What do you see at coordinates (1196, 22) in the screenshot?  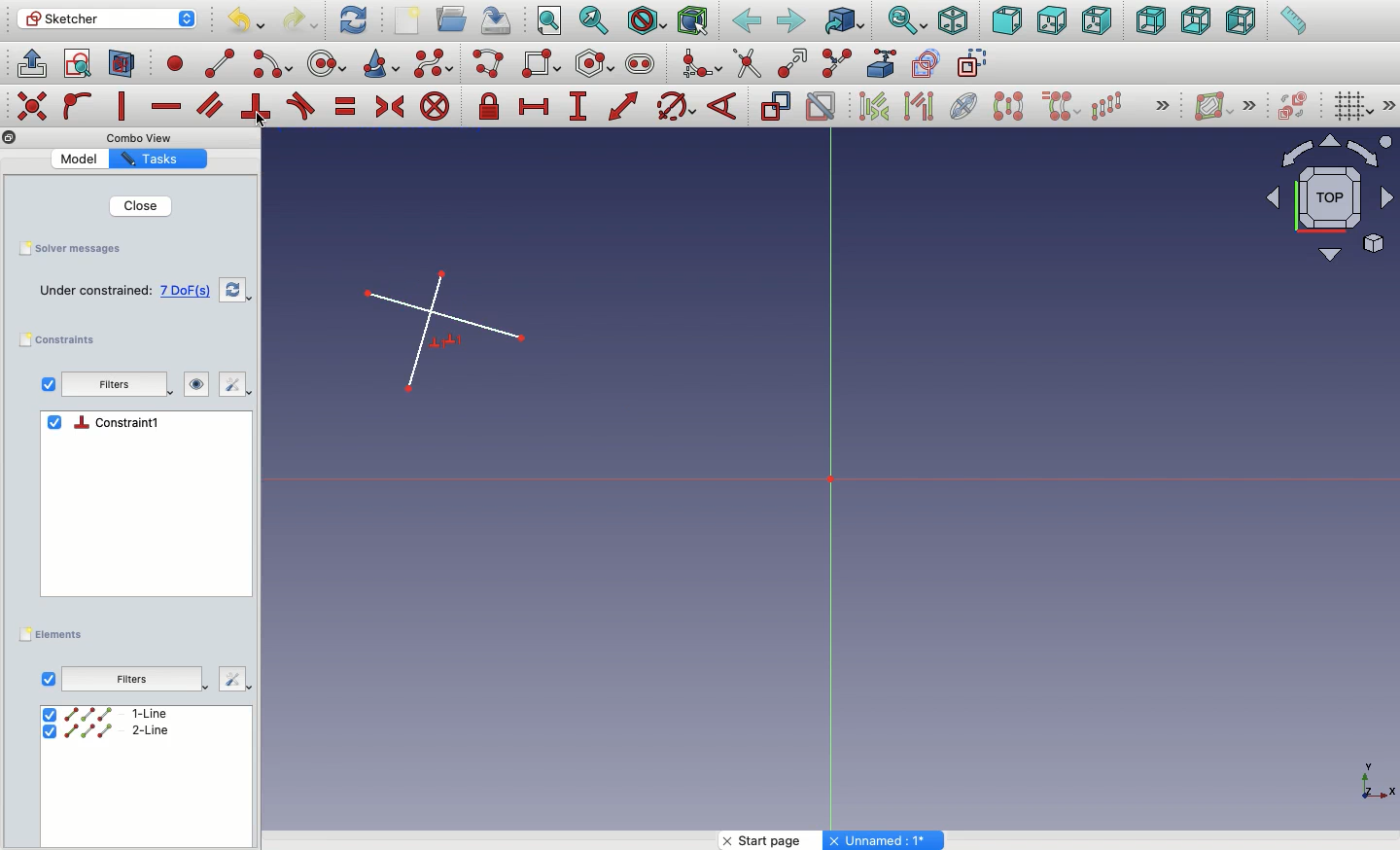 I see `Bottom` at bounding box center [1196, 22].